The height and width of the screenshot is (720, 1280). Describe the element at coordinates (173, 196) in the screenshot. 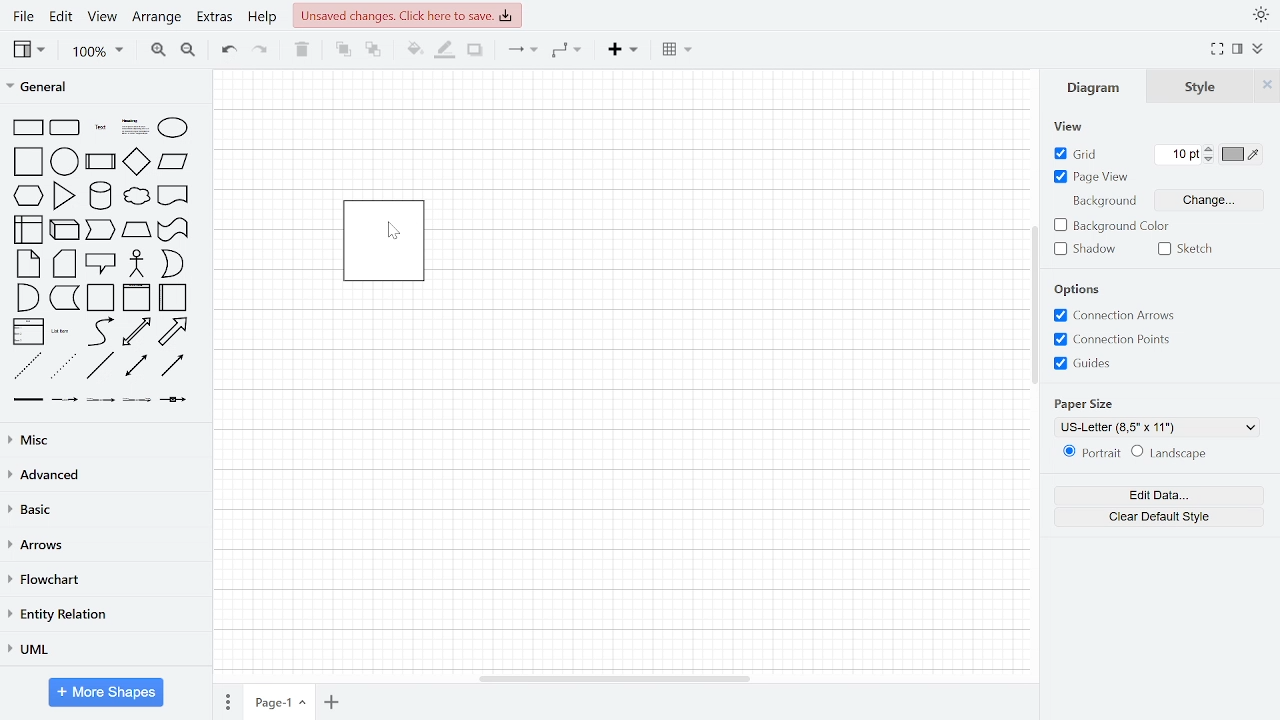

I see `document` at that location.